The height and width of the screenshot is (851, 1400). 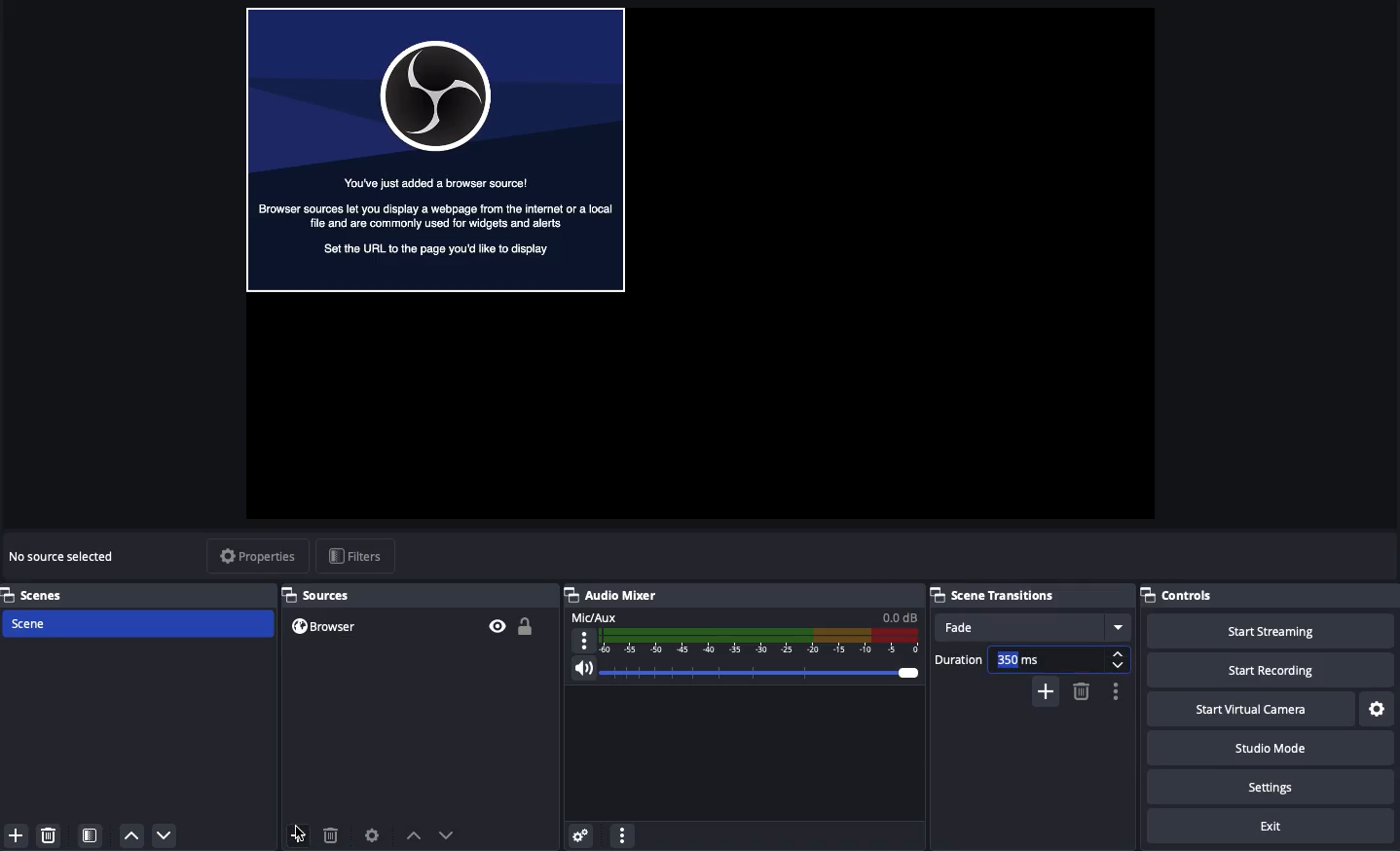 What do you see at coordinates (1026, 595) in the screenshot?
I see `Scene transition` at bounding box center [1026, 595].